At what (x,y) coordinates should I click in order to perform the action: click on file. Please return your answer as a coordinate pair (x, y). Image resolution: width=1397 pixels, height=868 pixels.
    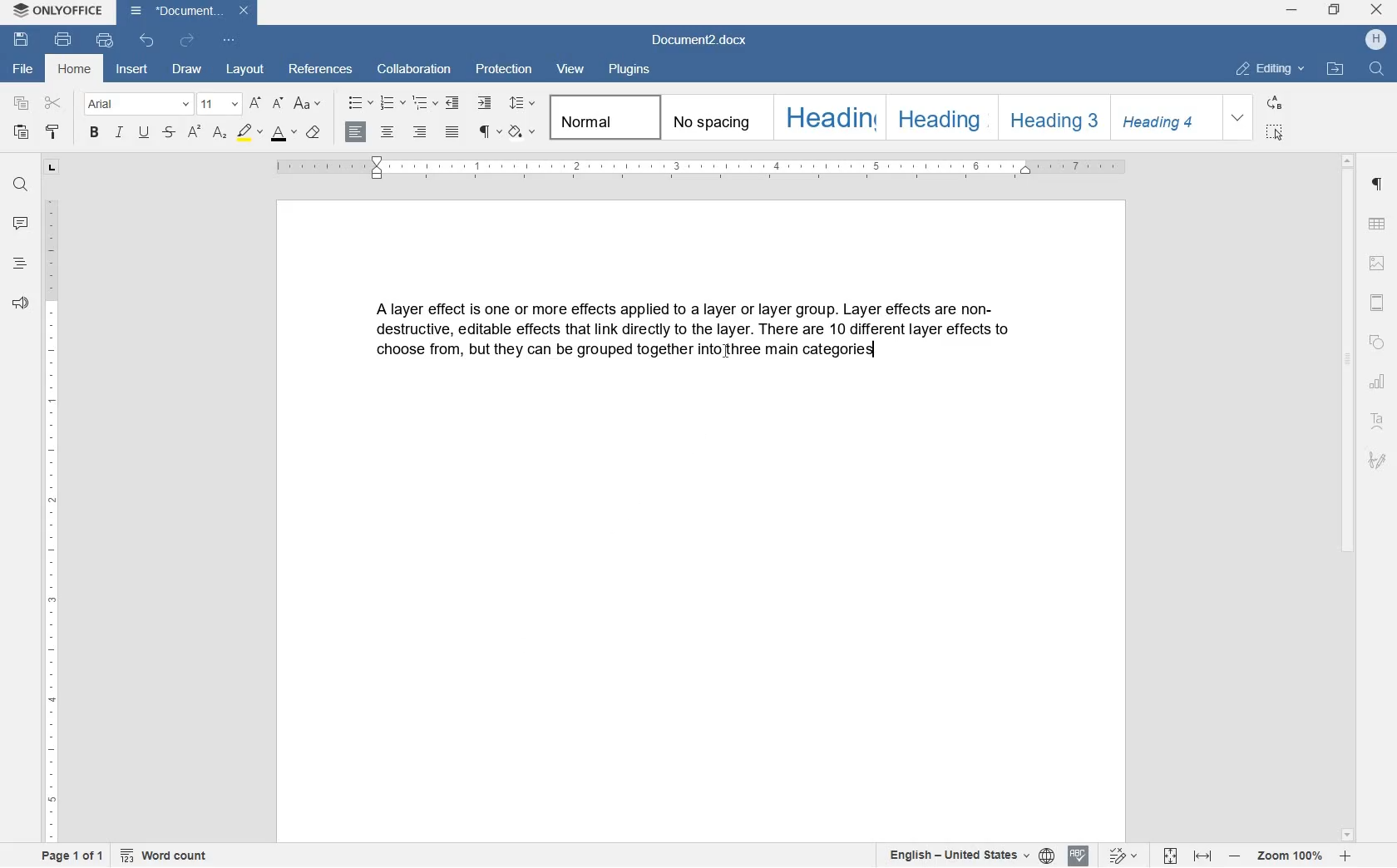
    Looking at the image, I should click on (21, 69).